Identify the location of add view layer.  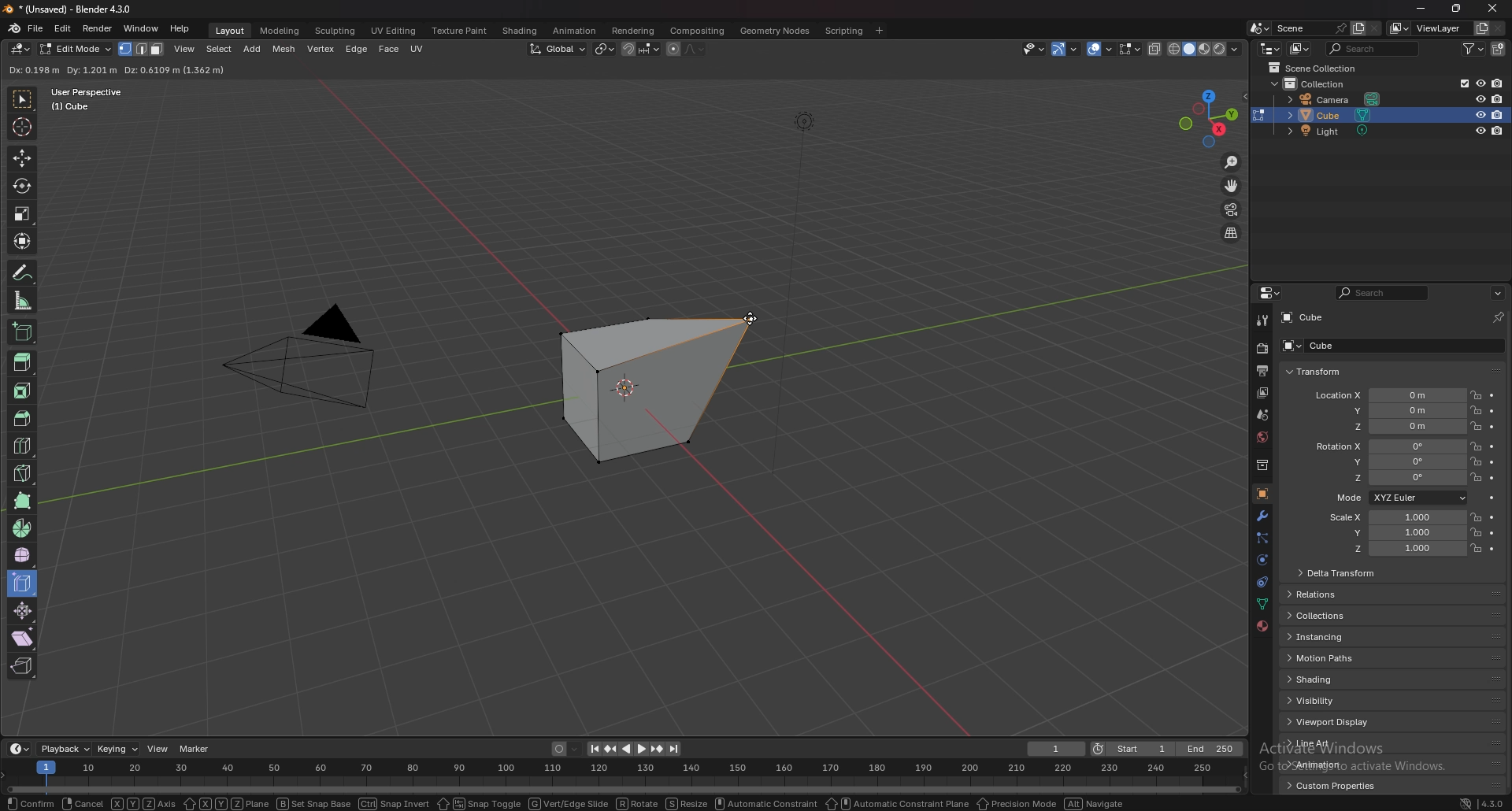
(1480, 28).